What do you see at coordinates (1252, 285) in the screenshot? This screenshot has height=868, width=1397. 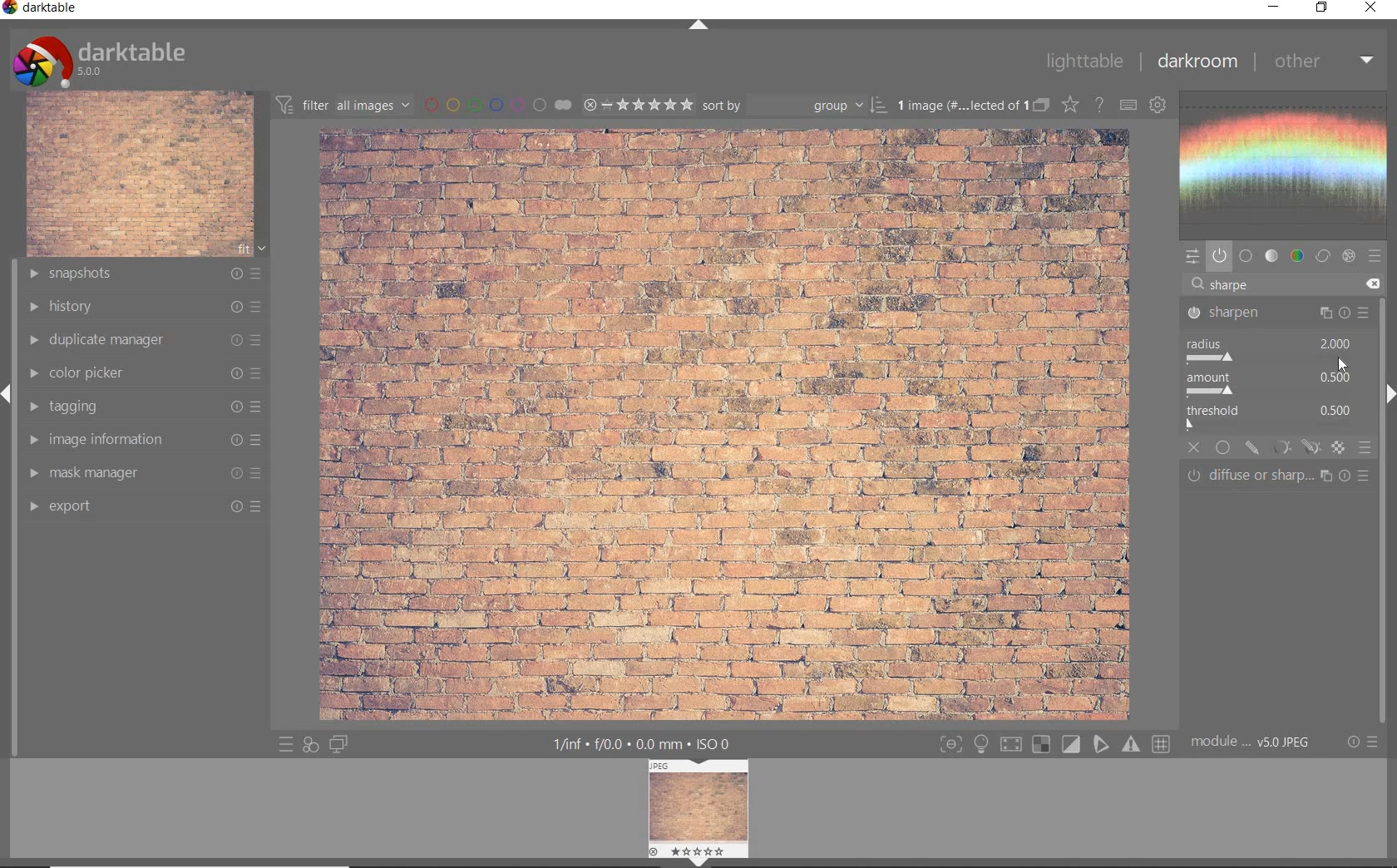 I see `SHARPEN` at bounding box center [1252, 285].